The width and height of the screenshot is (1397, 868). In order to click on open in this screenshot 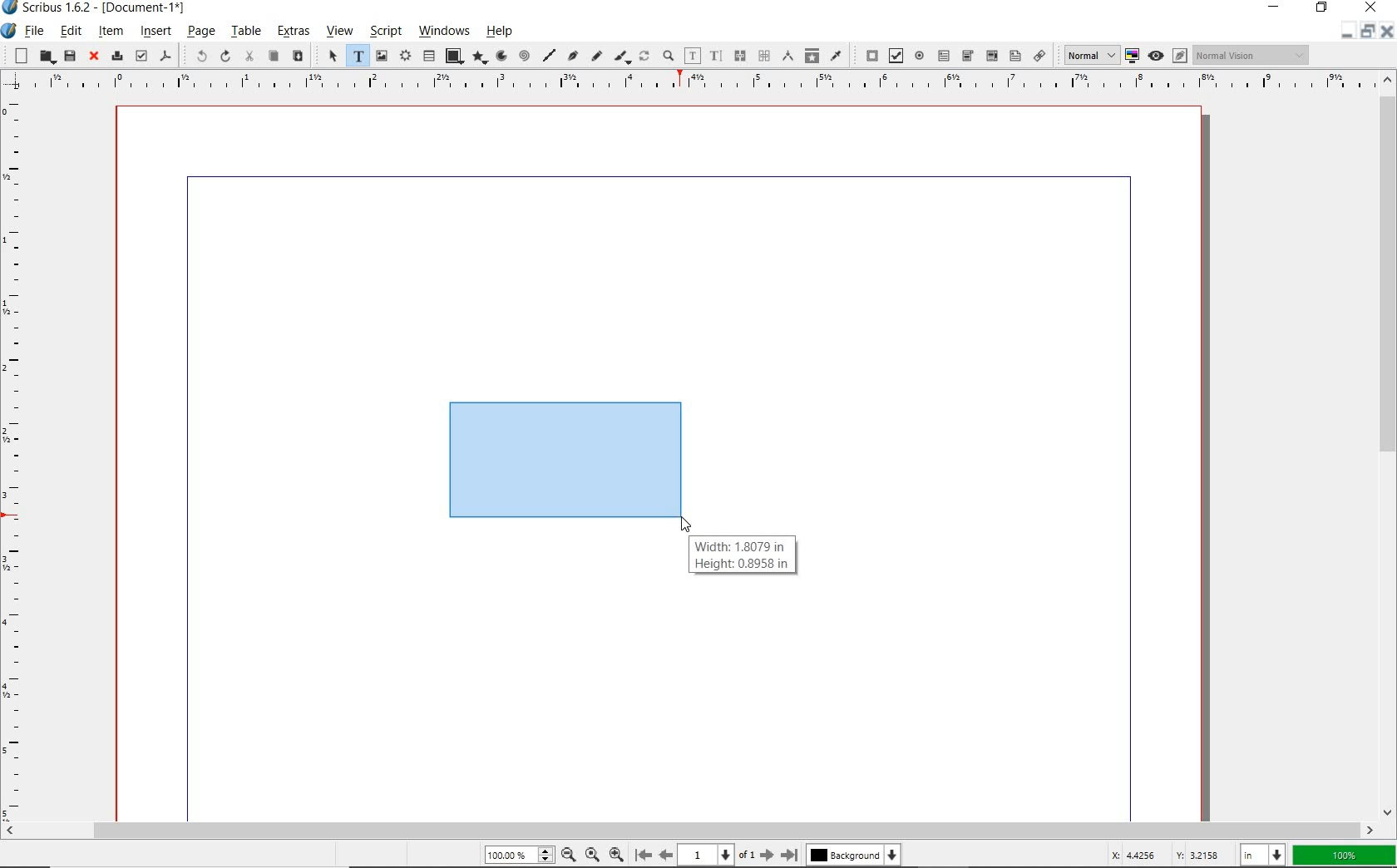, I will do `click(45, 57)`.